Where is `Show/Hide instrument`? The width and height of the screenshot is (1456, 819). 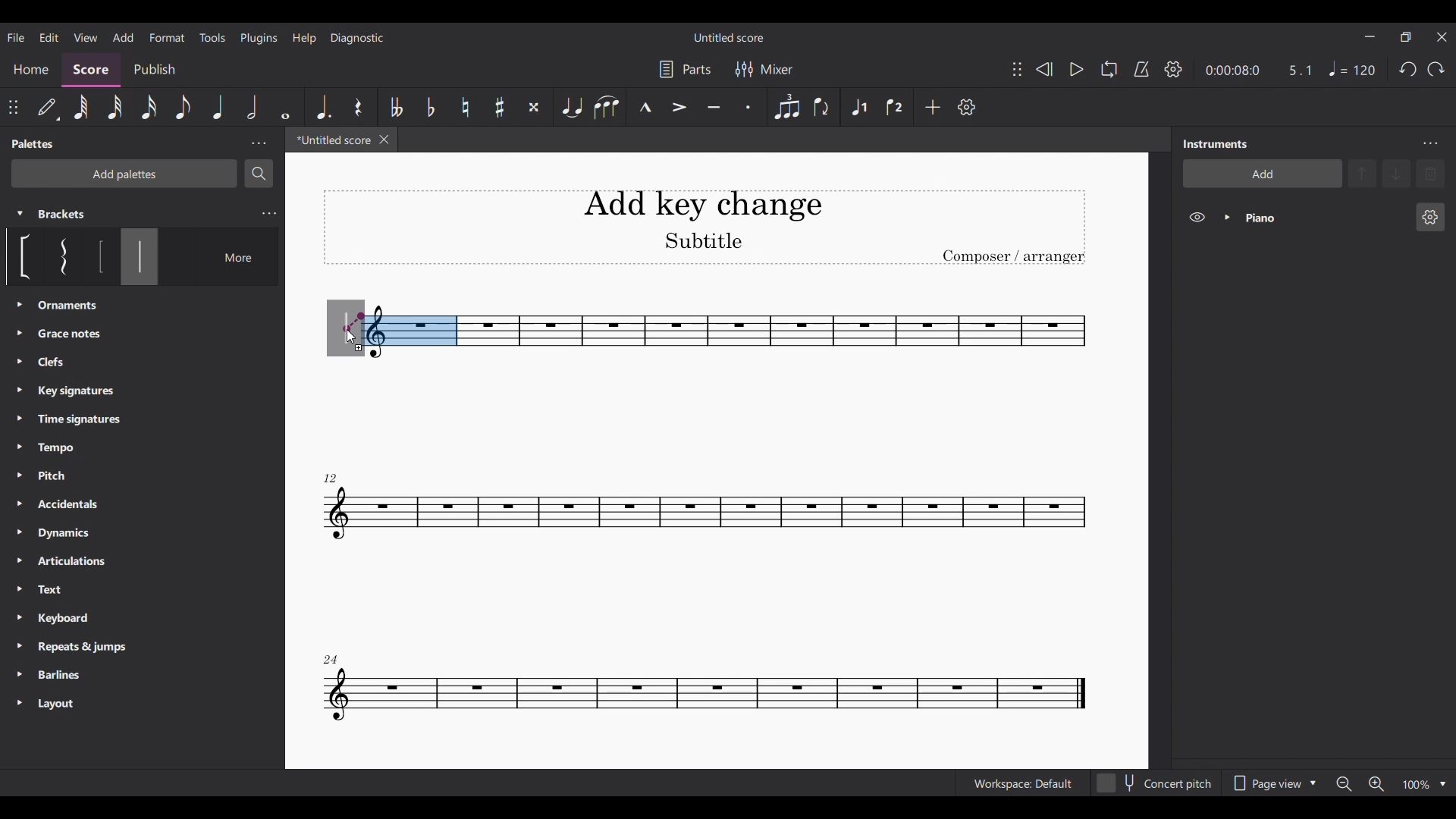
Show/Hide instrument is located at coordinates (1197, 217).